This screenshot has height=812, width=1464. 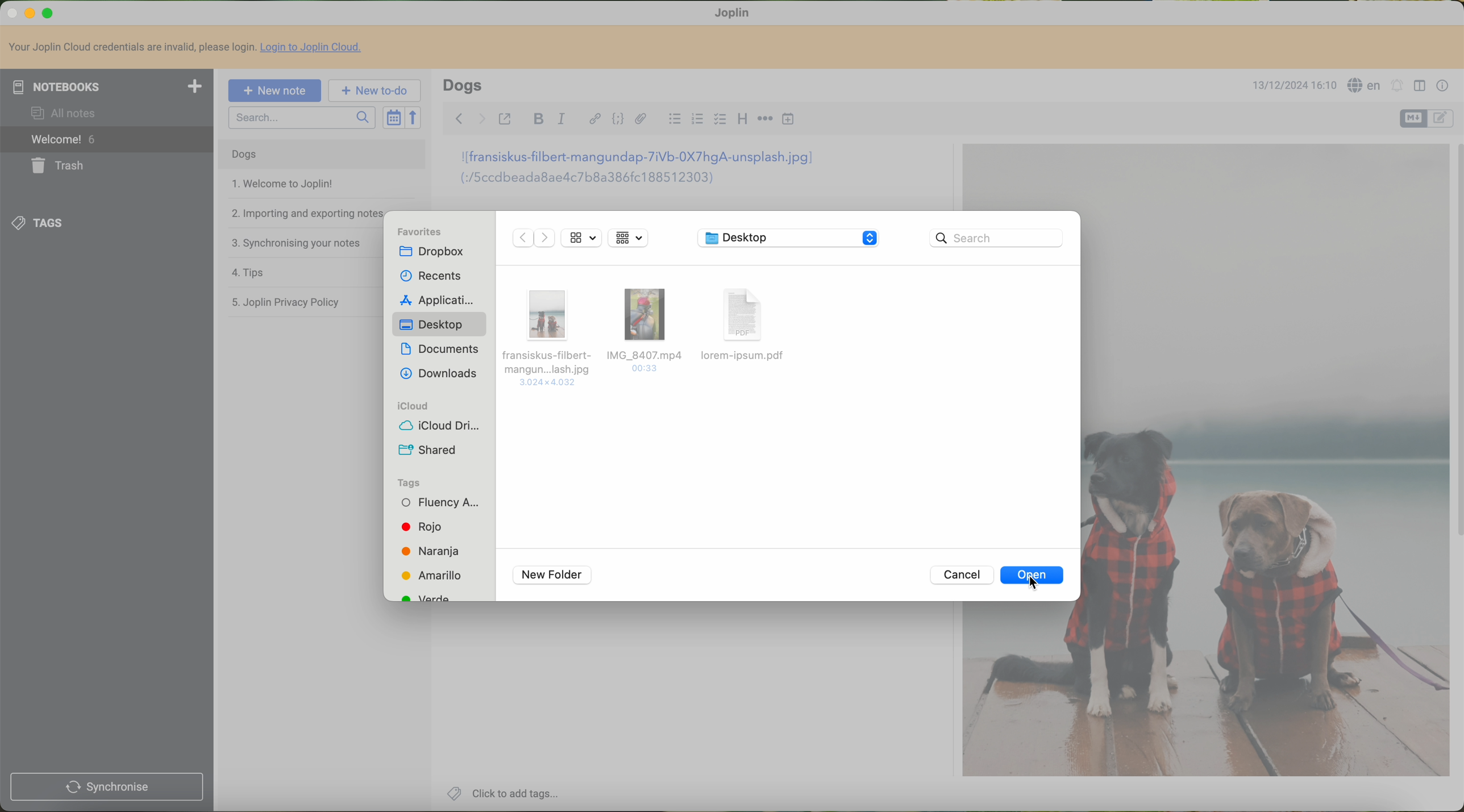 What do you see at coordinates (644, 328) in the screenshot?
I see `IMG_8407.mp4
00:33` at bounding box center [644, 328].